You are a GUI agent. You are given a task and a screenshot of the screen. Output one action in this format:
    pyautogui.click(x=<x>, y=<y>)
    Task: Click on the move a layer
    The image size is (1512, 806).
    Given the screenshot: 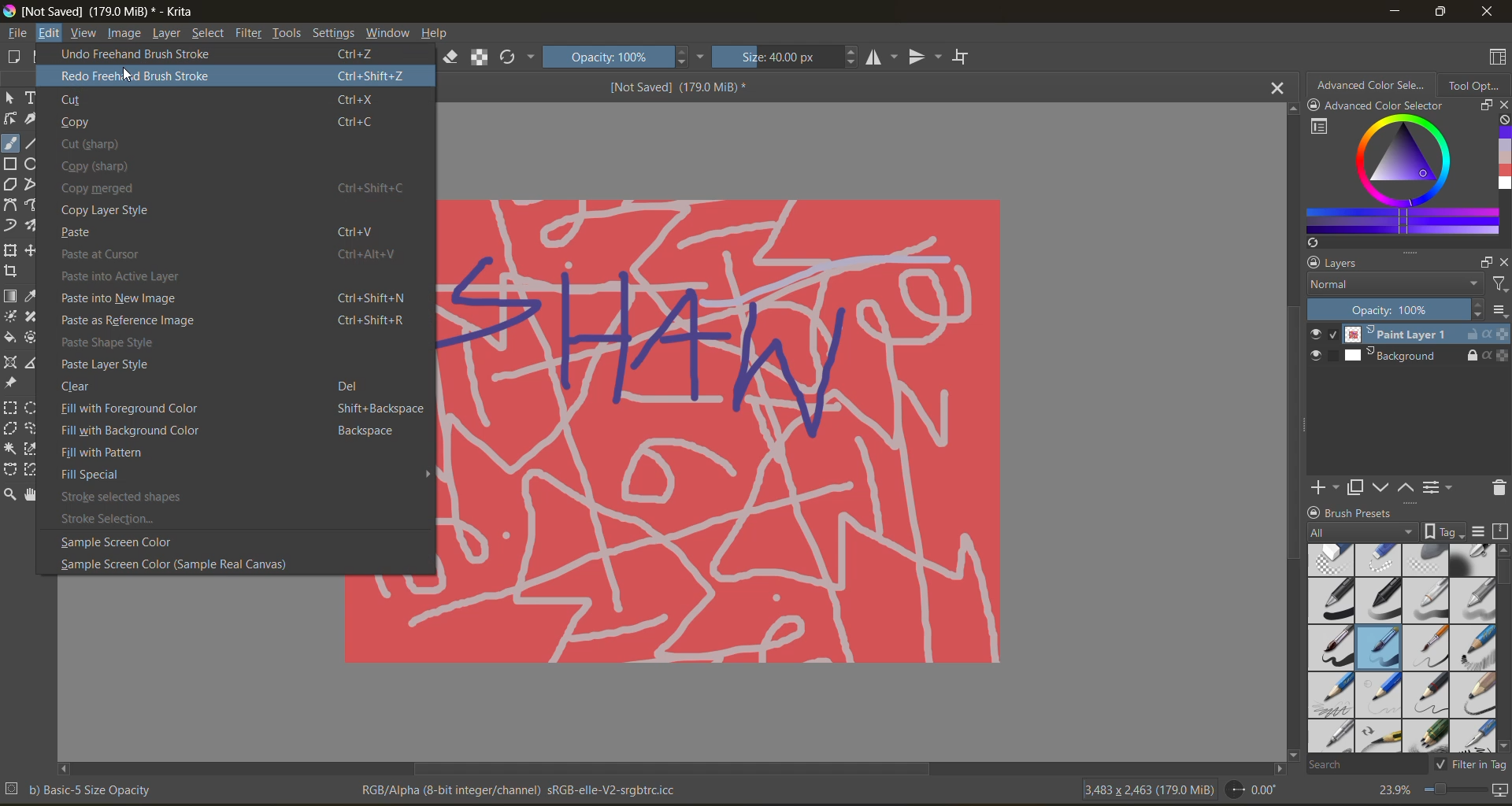 What is the action you would take?
    pyautogui.click(x=35, y=250)
    